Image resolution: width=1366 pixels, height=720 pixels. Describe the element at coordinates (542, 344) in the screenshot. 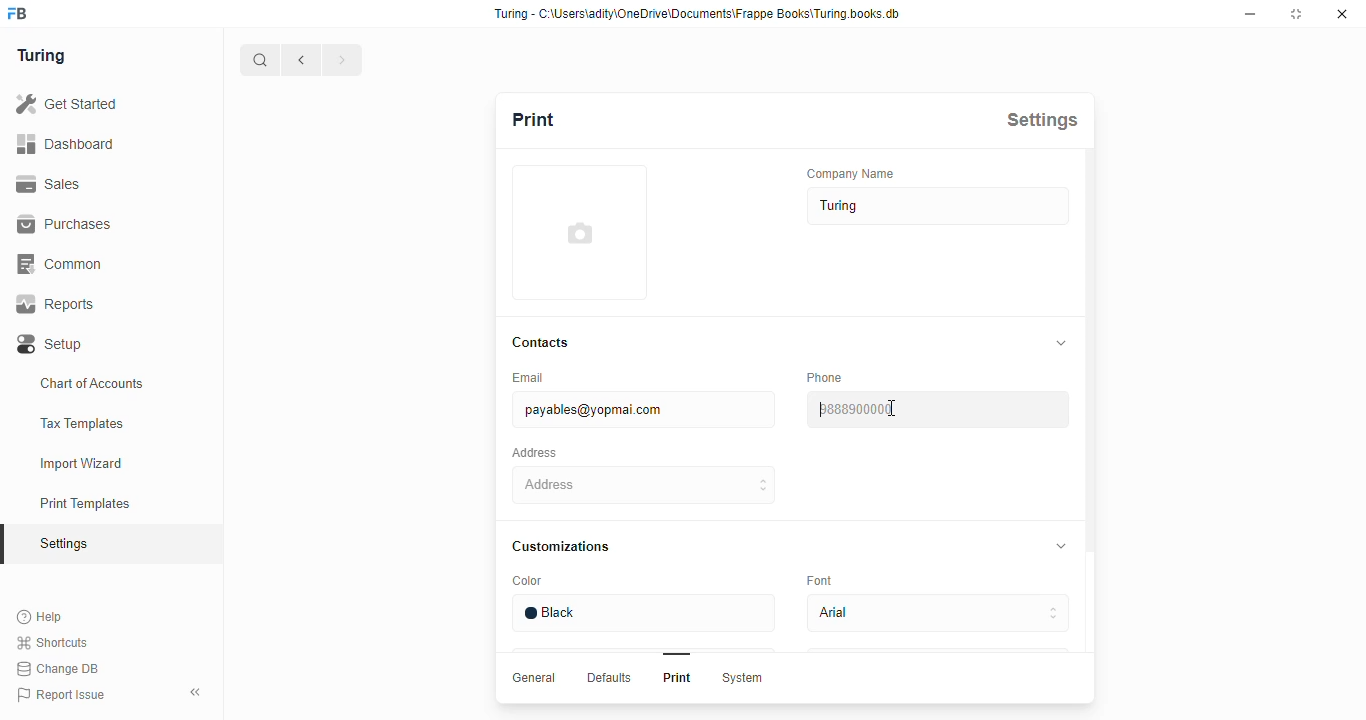

I see `Contacts.` at that location.